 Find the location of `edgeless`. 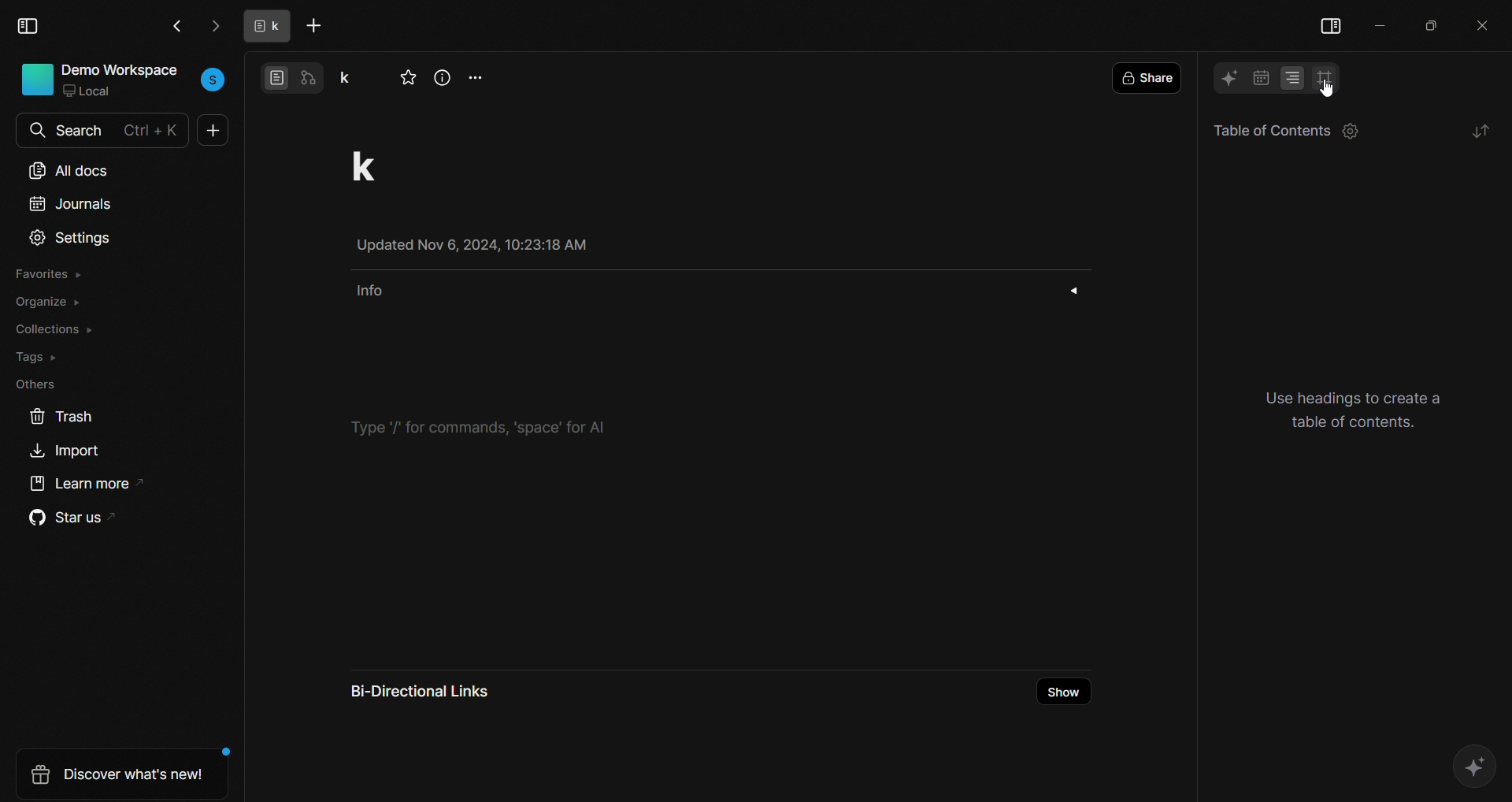

edgeless is located at coordinates (313, 76).